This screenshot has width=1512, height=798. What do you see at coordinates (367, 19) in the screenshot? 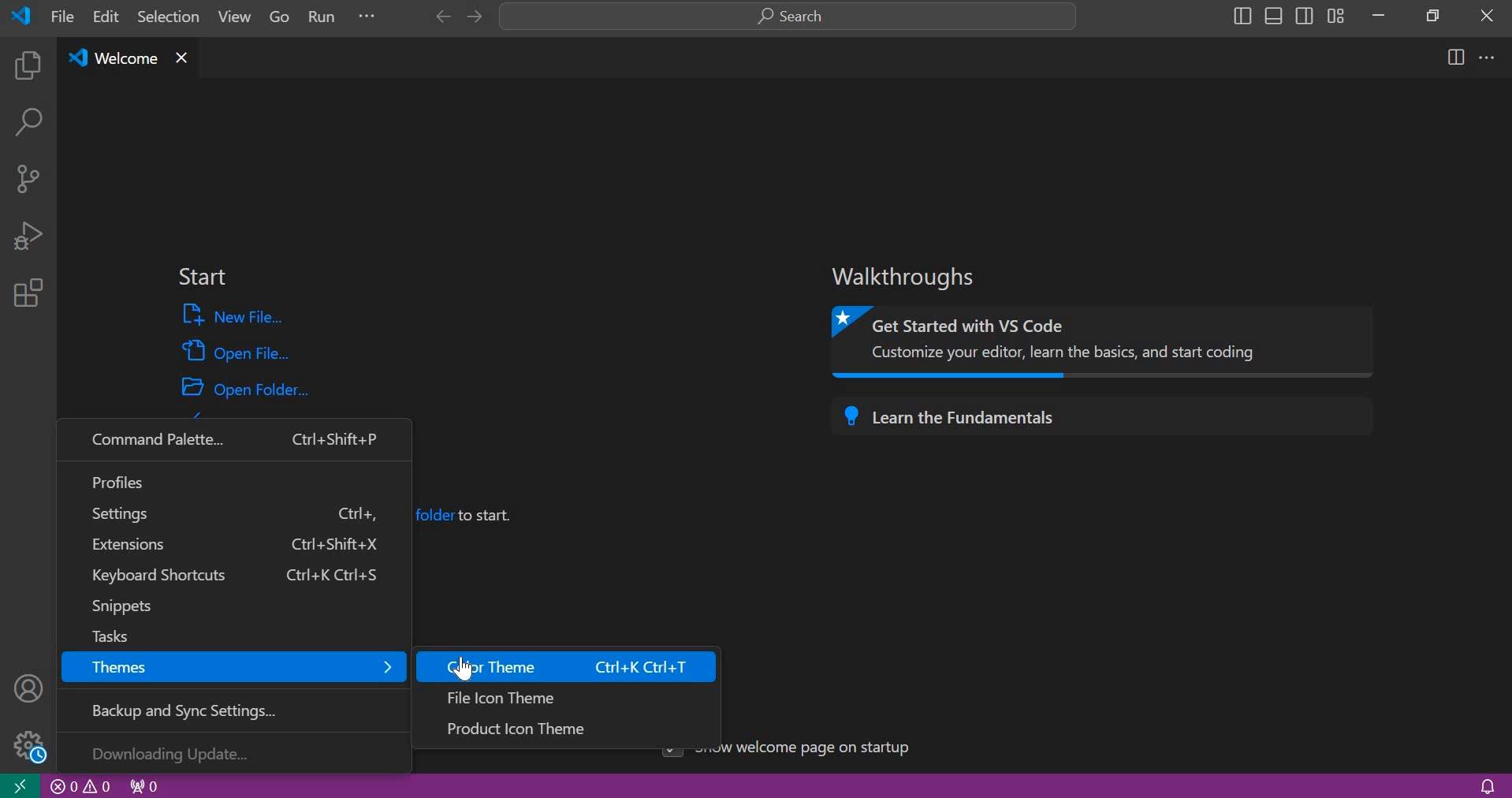
I see `expand` at bounding box center [367, 19].